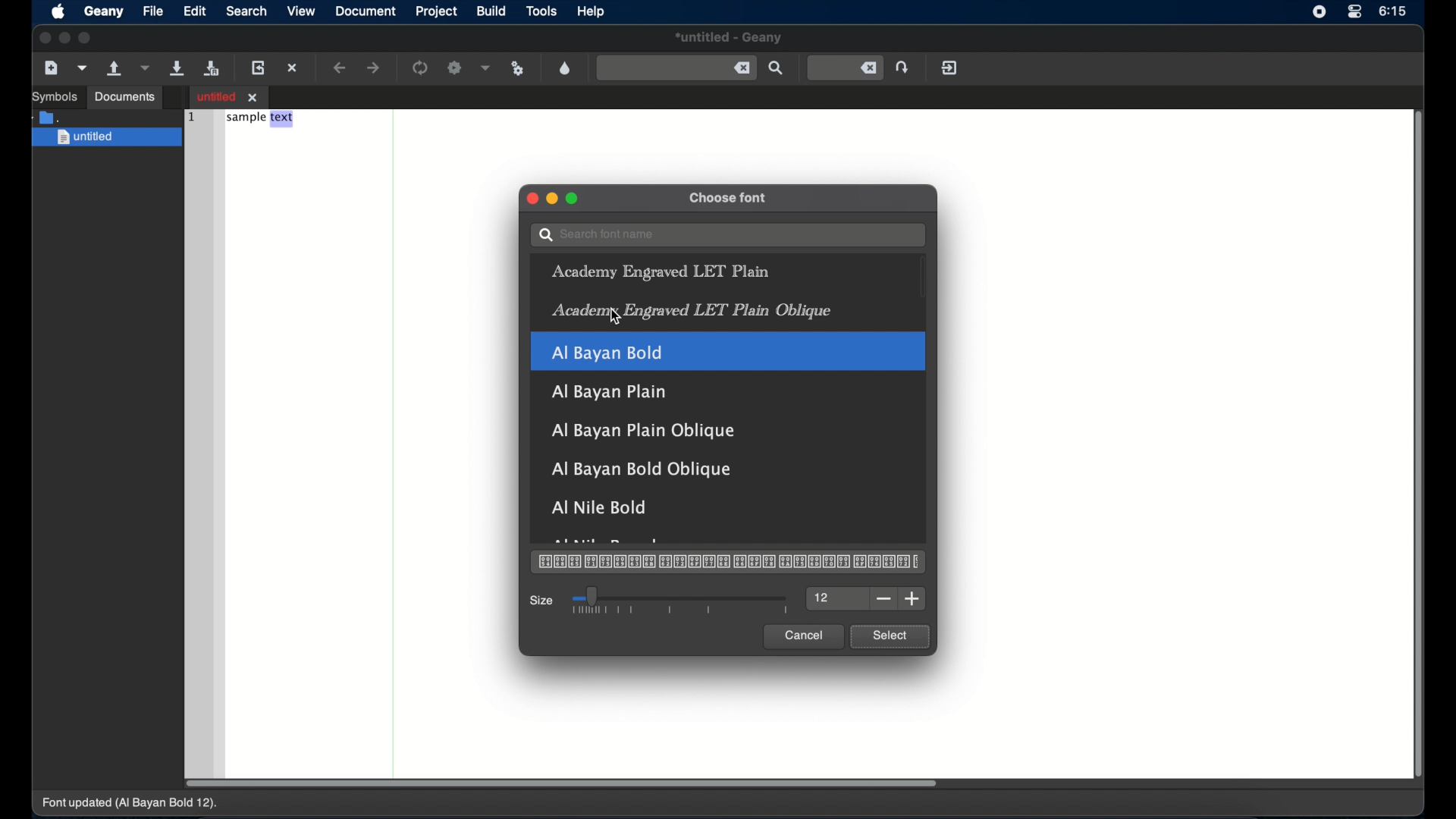  I want to click on al bayan plain oblique, so click(645, 431).